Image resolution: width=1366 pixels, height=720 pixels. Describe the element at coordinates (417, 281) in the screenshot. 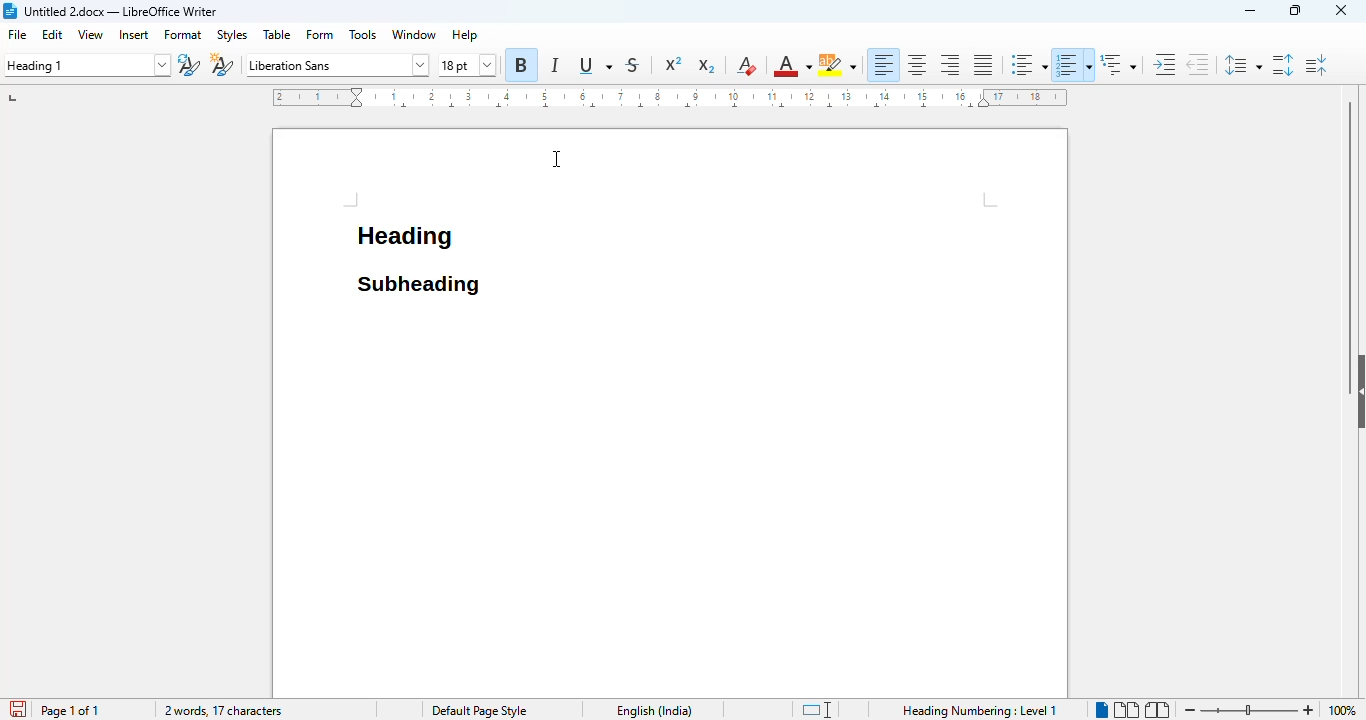

I see `Subheading bold format applied` at that location.